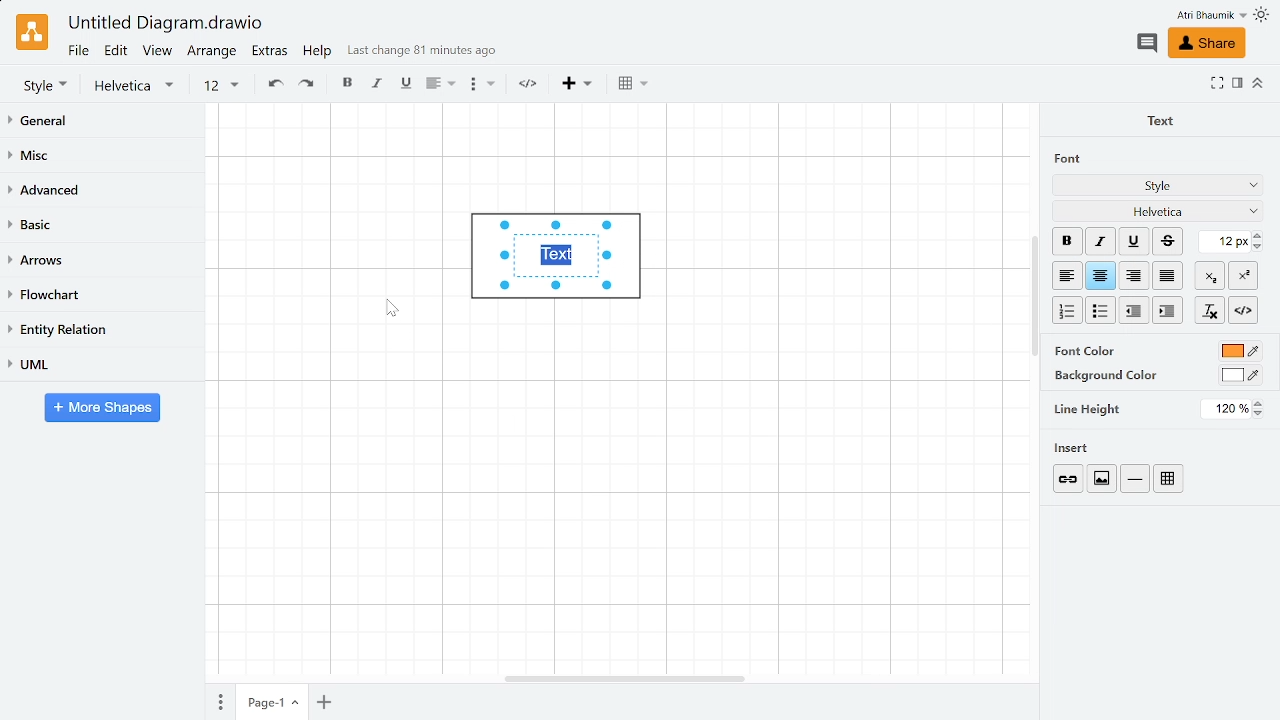  What do you see at coordinates (1260, 403) in the screenshot?
I see `Increase line height` at bounding box center [1260, 403].